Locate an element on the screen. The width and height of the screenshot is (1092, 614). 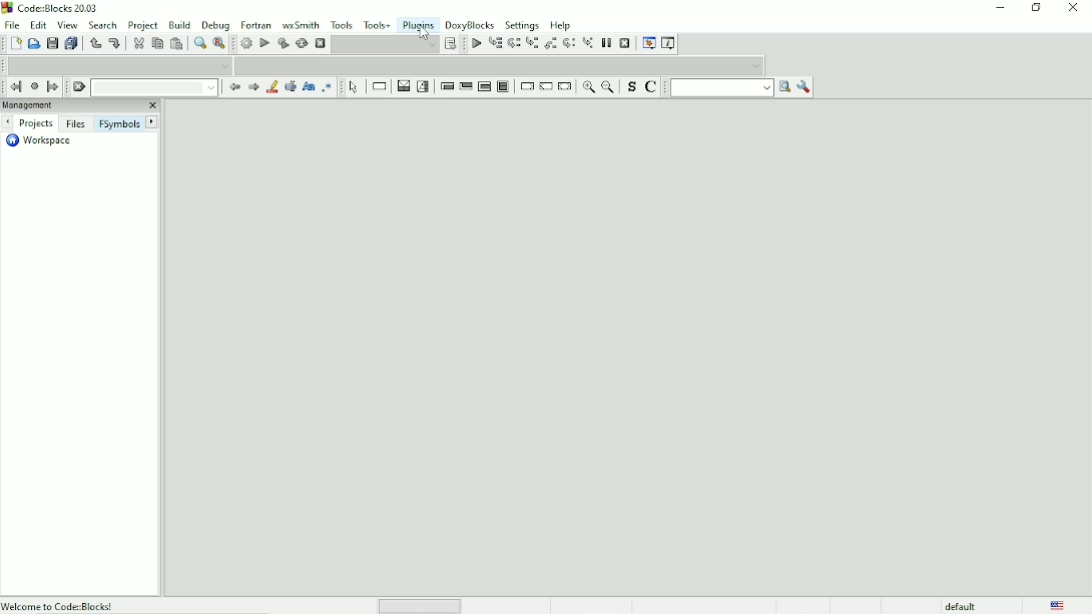
Break debugger is located at coordinates (606, 43).